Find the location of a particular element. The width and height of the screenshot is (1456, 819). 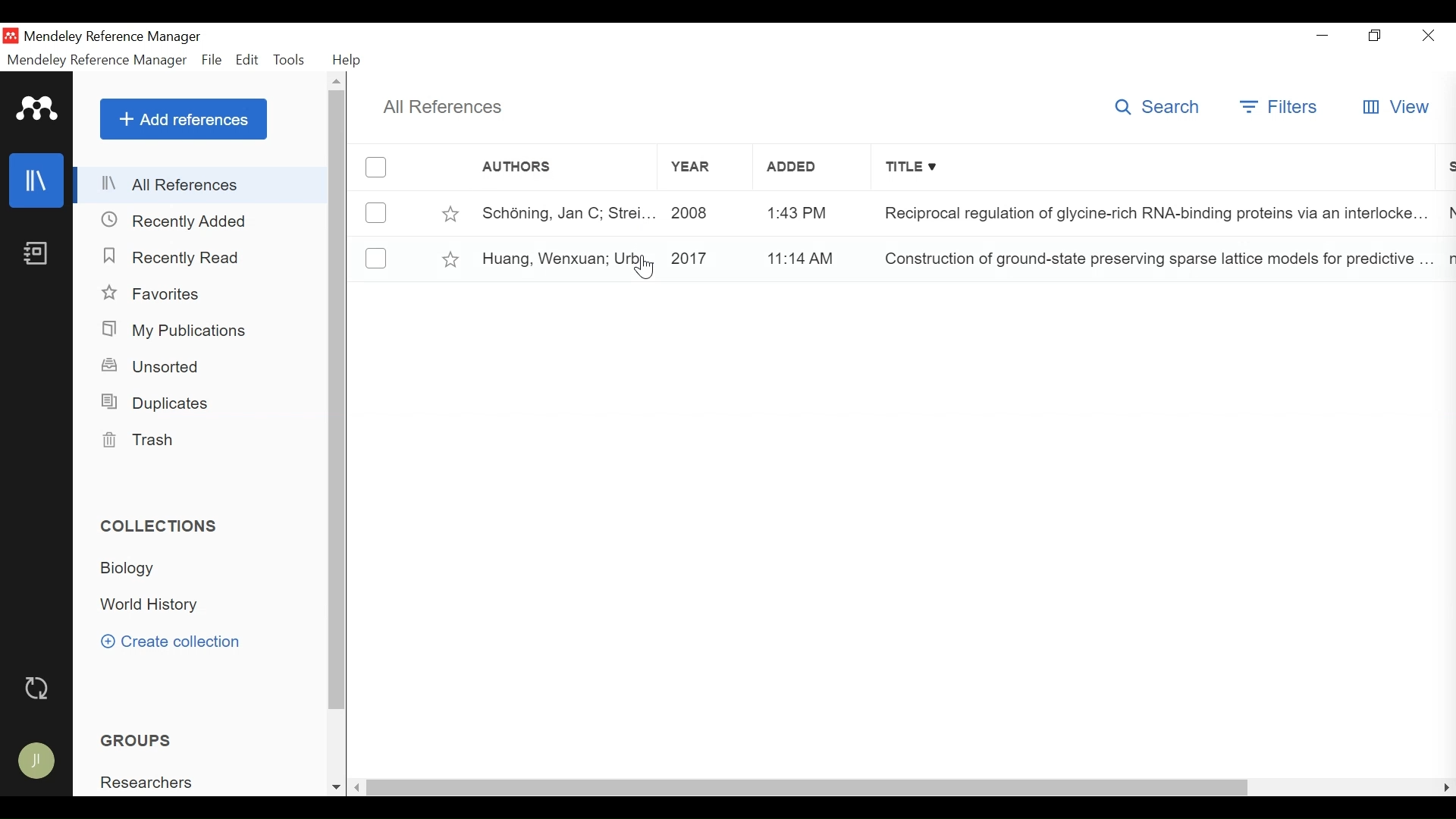

Unsorted is located at coordinates (152, 366).